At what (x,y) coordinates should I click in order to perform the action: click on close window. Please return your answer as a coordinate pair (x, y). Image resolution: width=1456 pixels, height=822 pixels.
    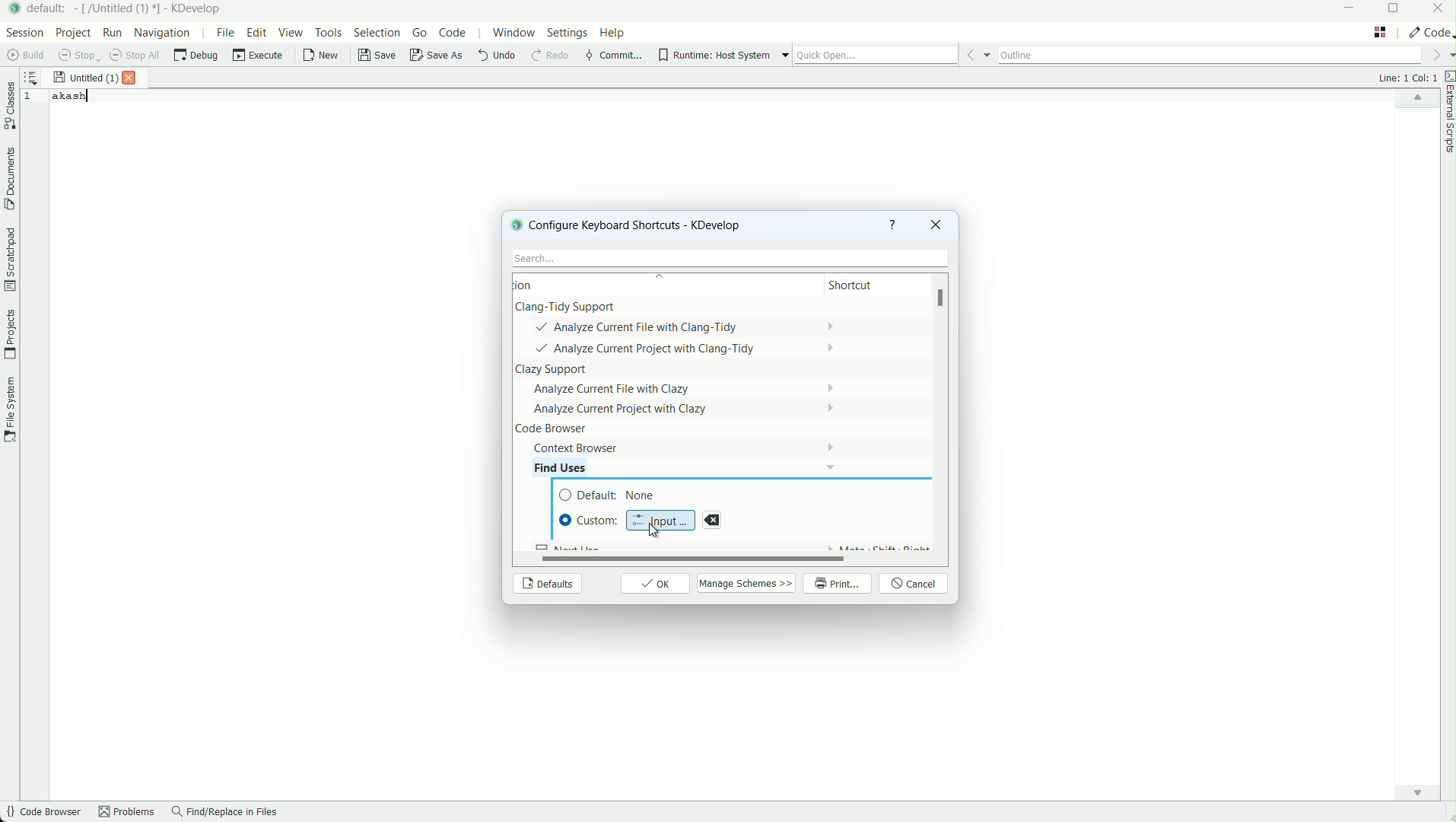
    Looking at the image, I should click on (934, 225).